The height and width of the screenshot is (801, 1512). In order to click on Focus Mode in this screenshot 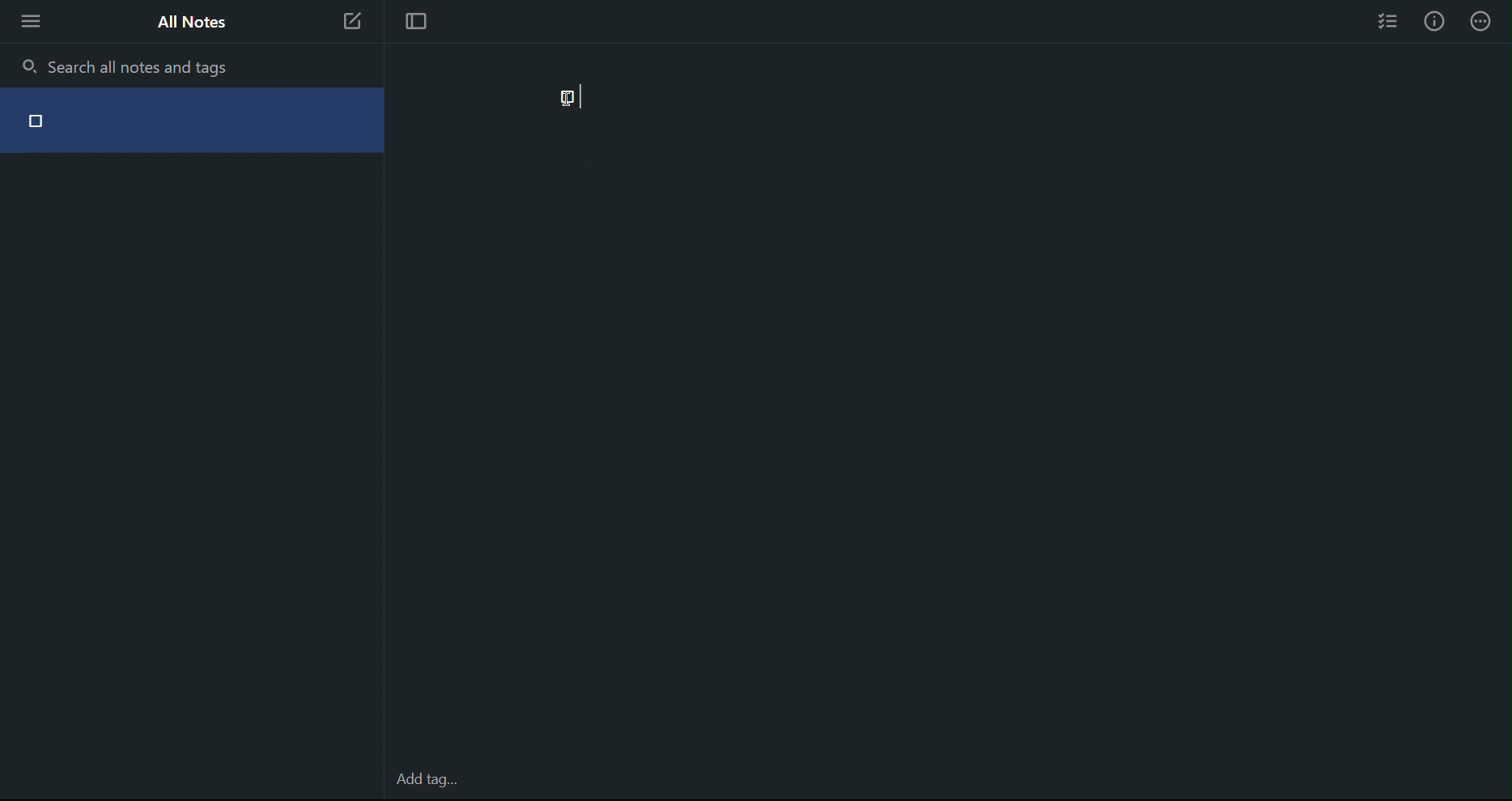, I will do `click(419, 19)`.